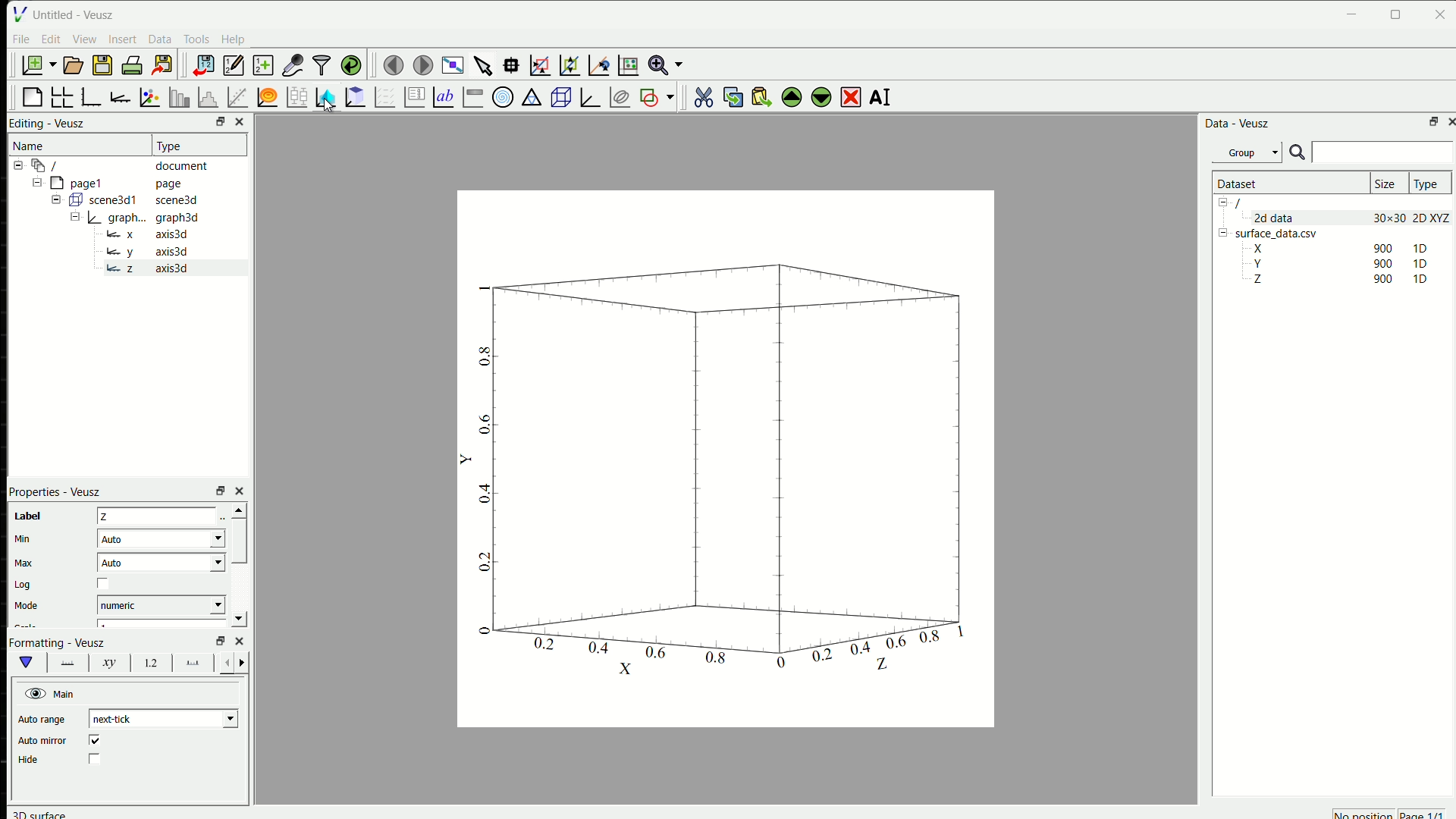 This screenshot has height=819, width=1456. I want to click on scroll up, so click(240, 510).